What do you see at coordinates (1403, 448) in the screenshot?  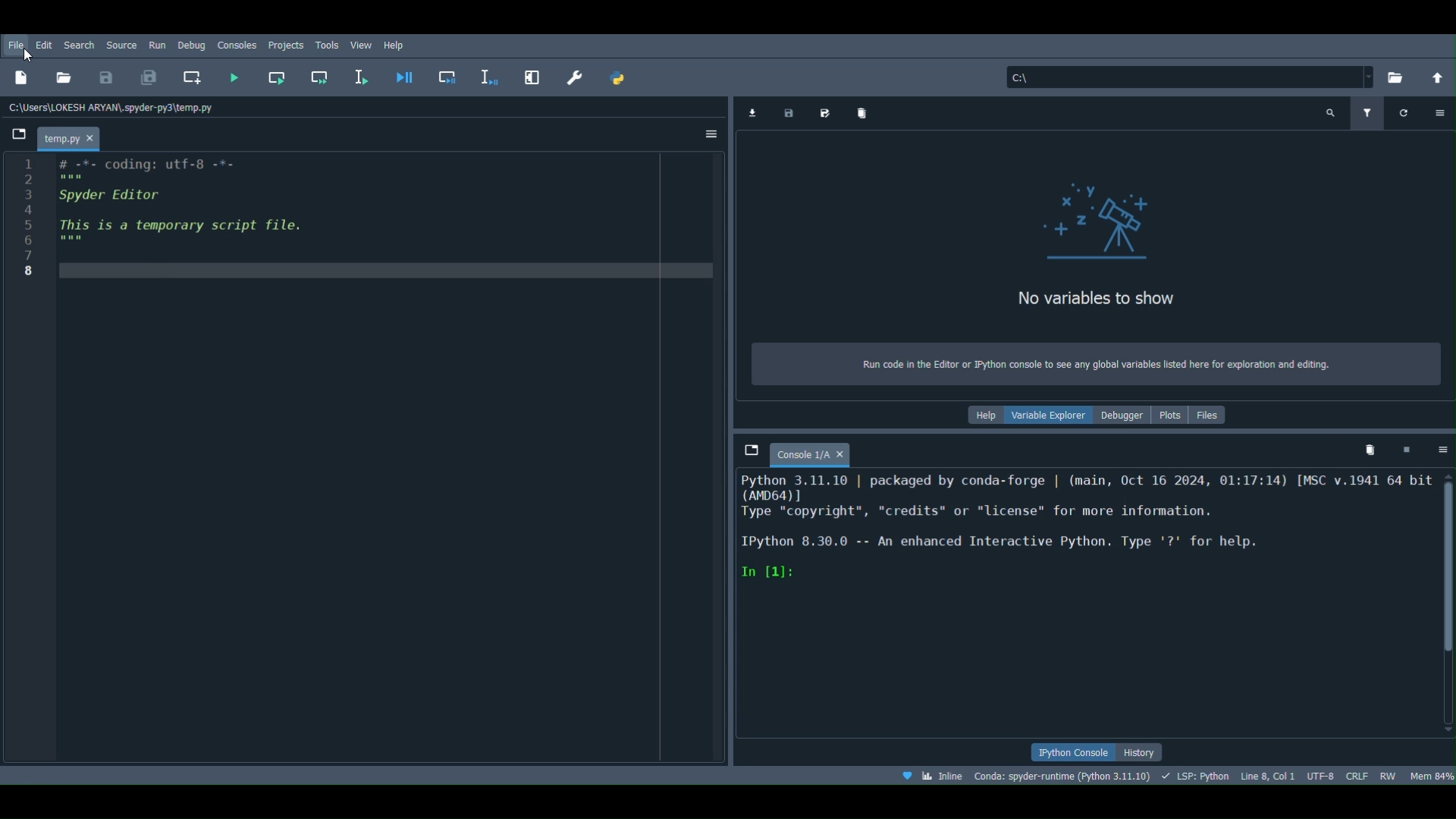 I see `Interrupt kernel` at bounding box center [1403, 448].